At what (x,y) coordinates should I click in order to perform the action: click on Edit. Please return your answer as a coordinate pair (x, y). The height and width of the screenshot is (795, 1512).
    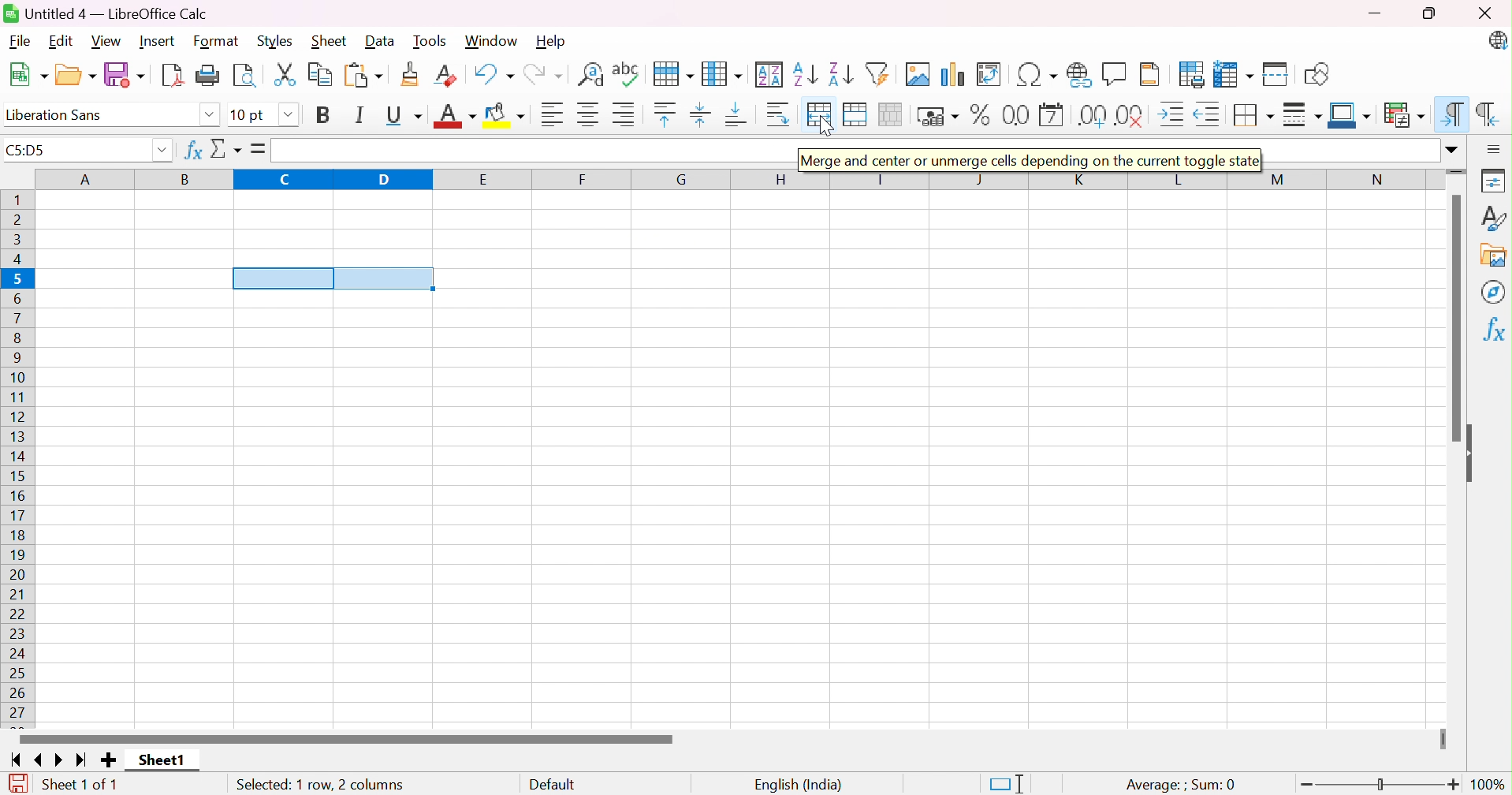
    Looking at the image, I should click on (60, 42).